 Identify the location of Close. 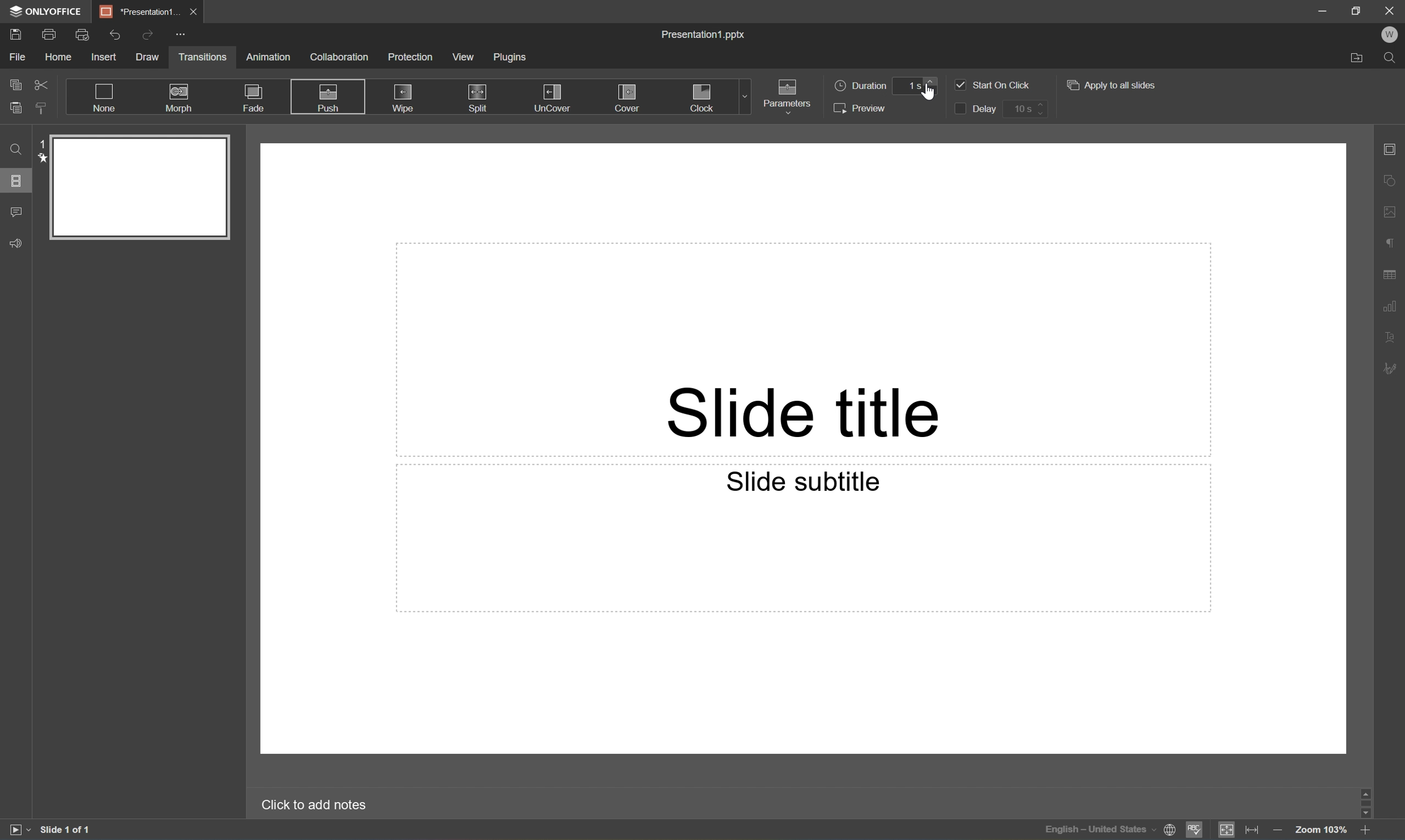
(1387, 10).